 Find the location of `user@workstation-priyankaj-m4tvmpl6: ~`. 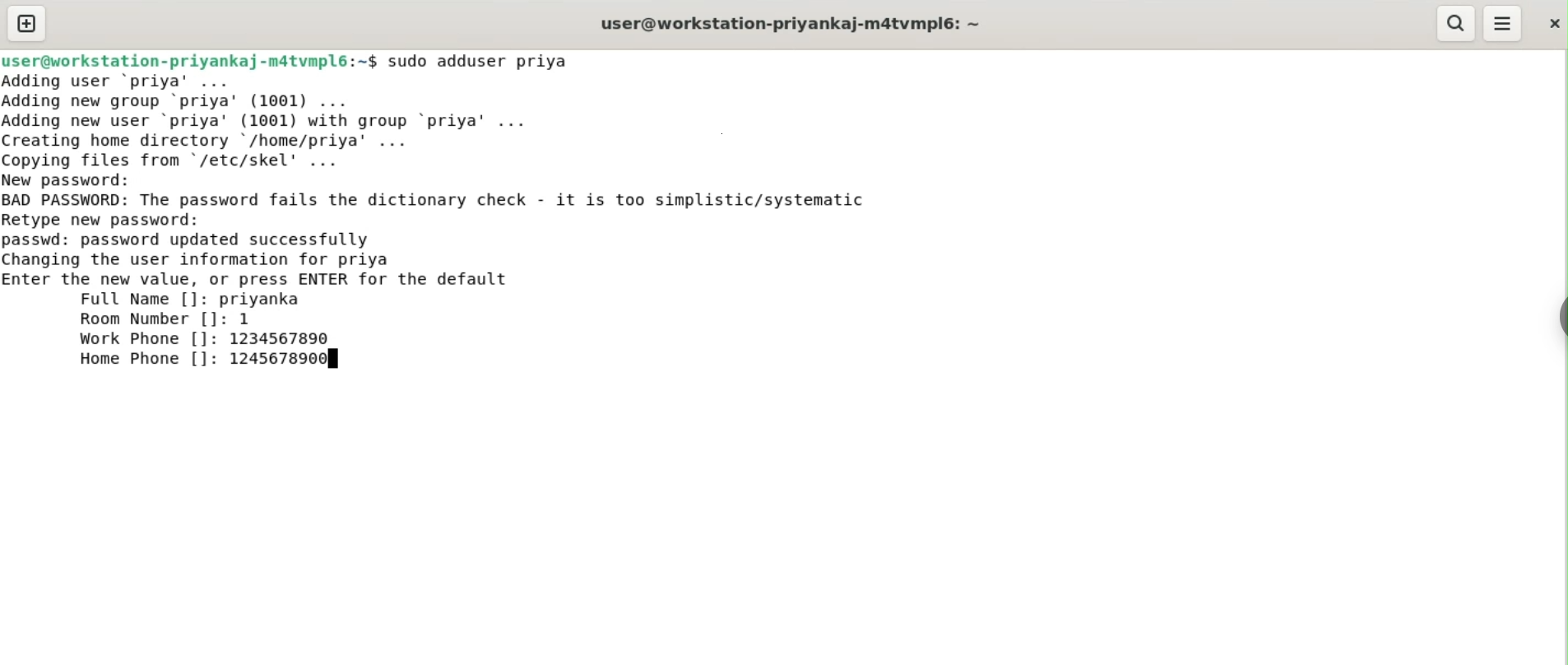

user@workstation-priyankaj-m4tvmpl6: ~ is located at coordinates (791, 26).